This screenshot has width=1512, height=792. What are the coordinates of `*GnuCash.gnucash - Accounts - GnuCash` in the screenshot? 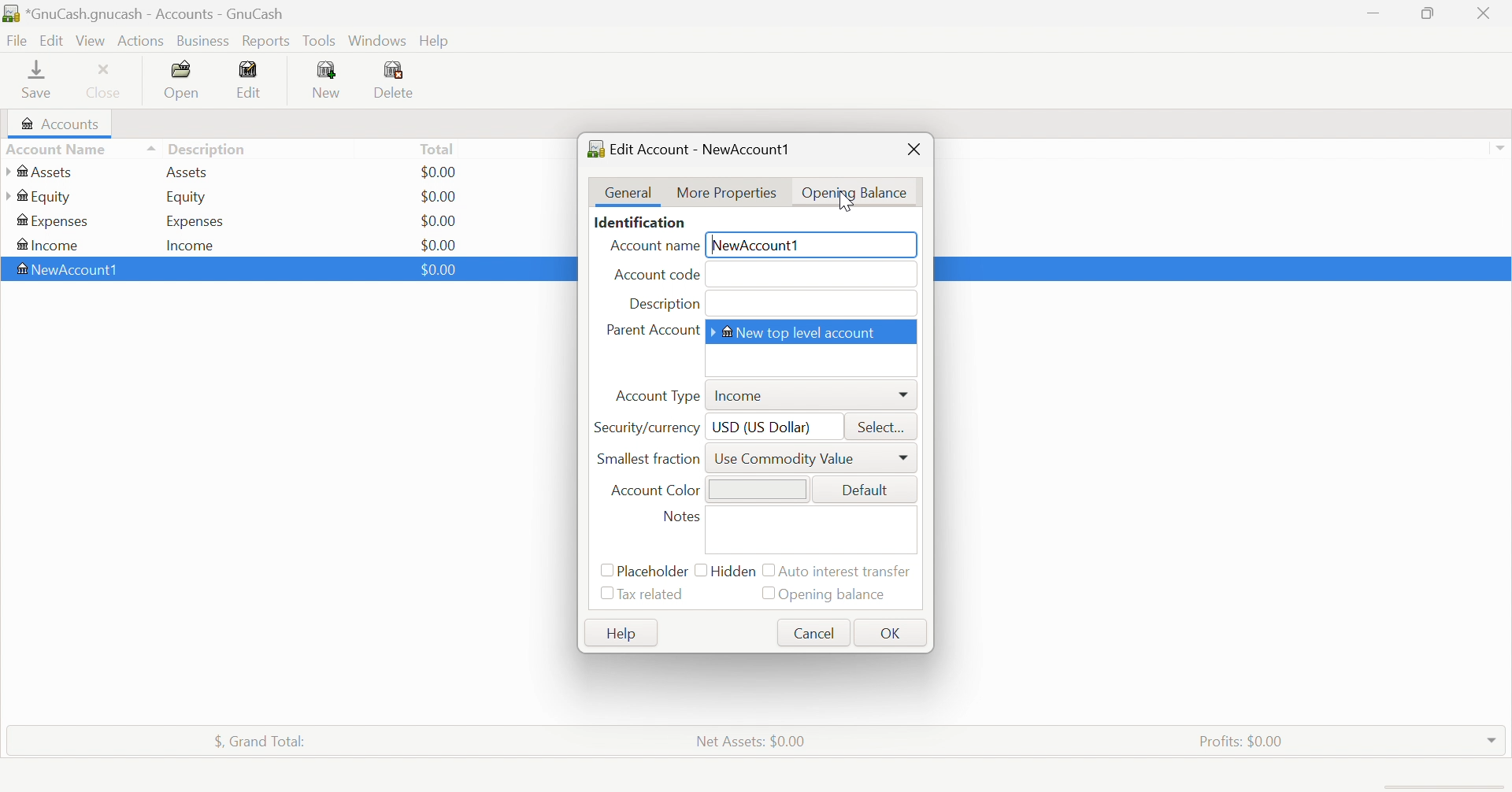 It's located at (145, 13).